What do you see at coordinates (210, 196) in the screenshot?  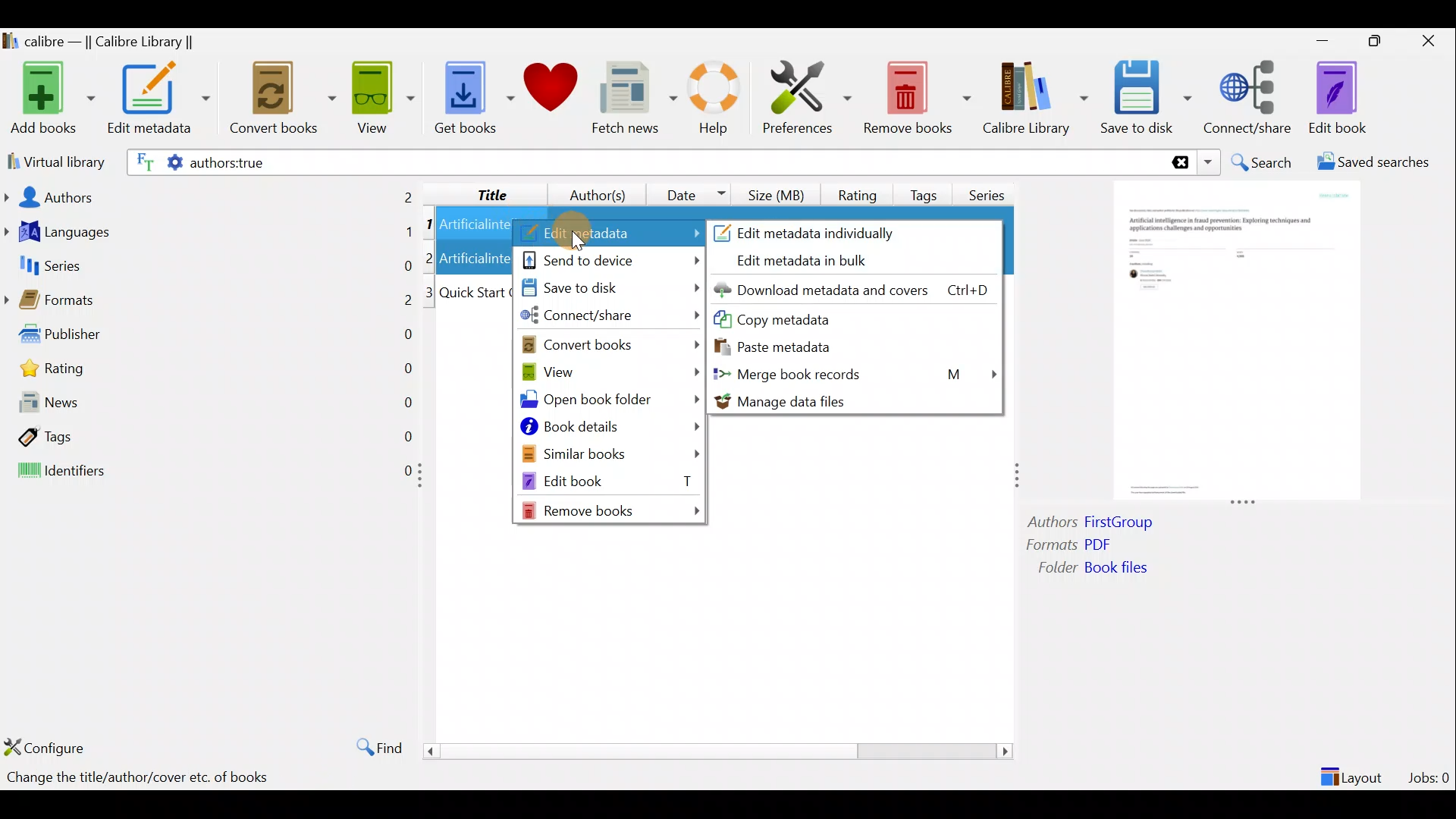 I see `Authors` at bounding box center [210, 196].